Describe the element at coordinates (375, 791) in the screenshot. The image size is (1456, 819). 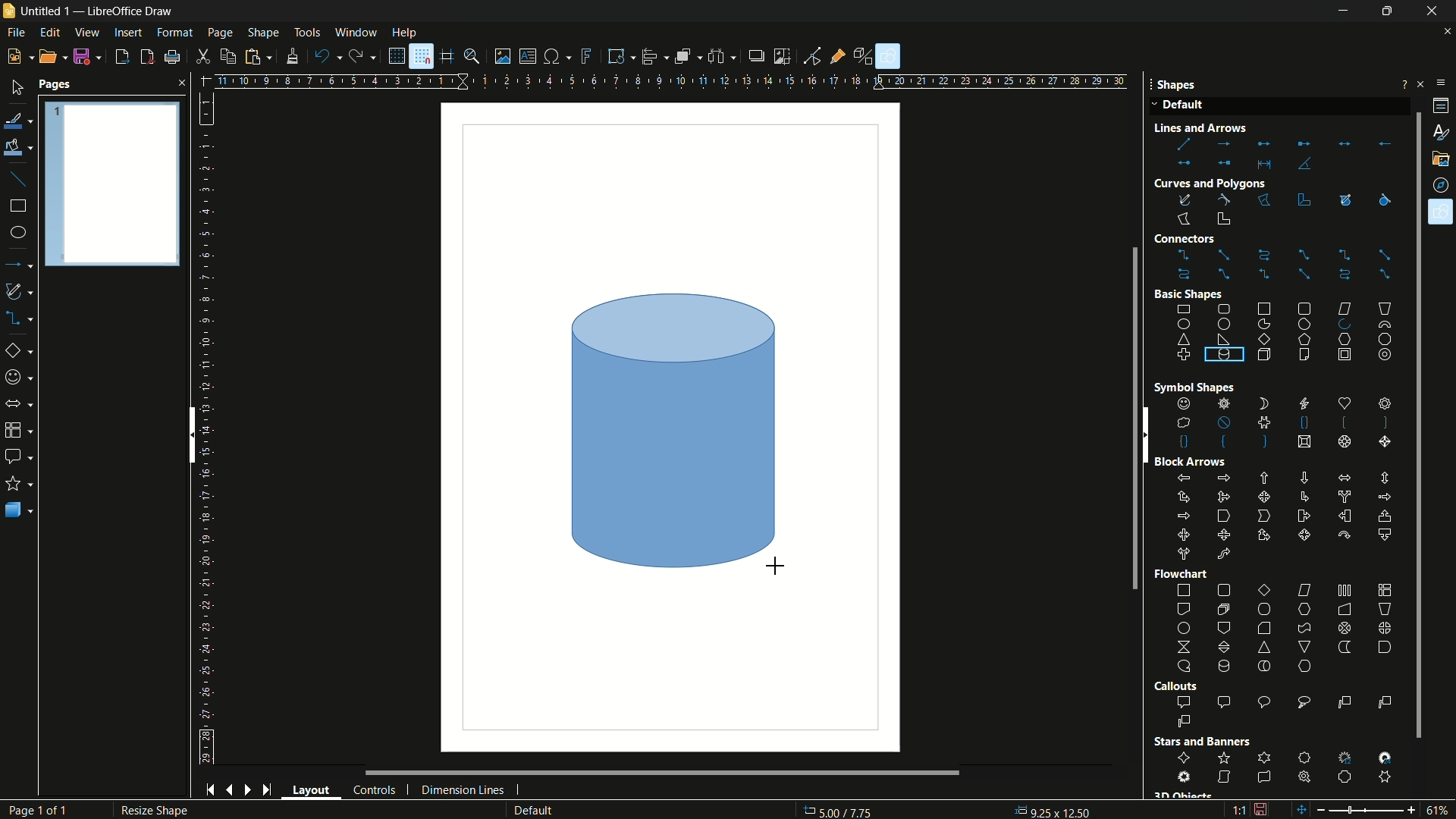
I see `controls` at that location.